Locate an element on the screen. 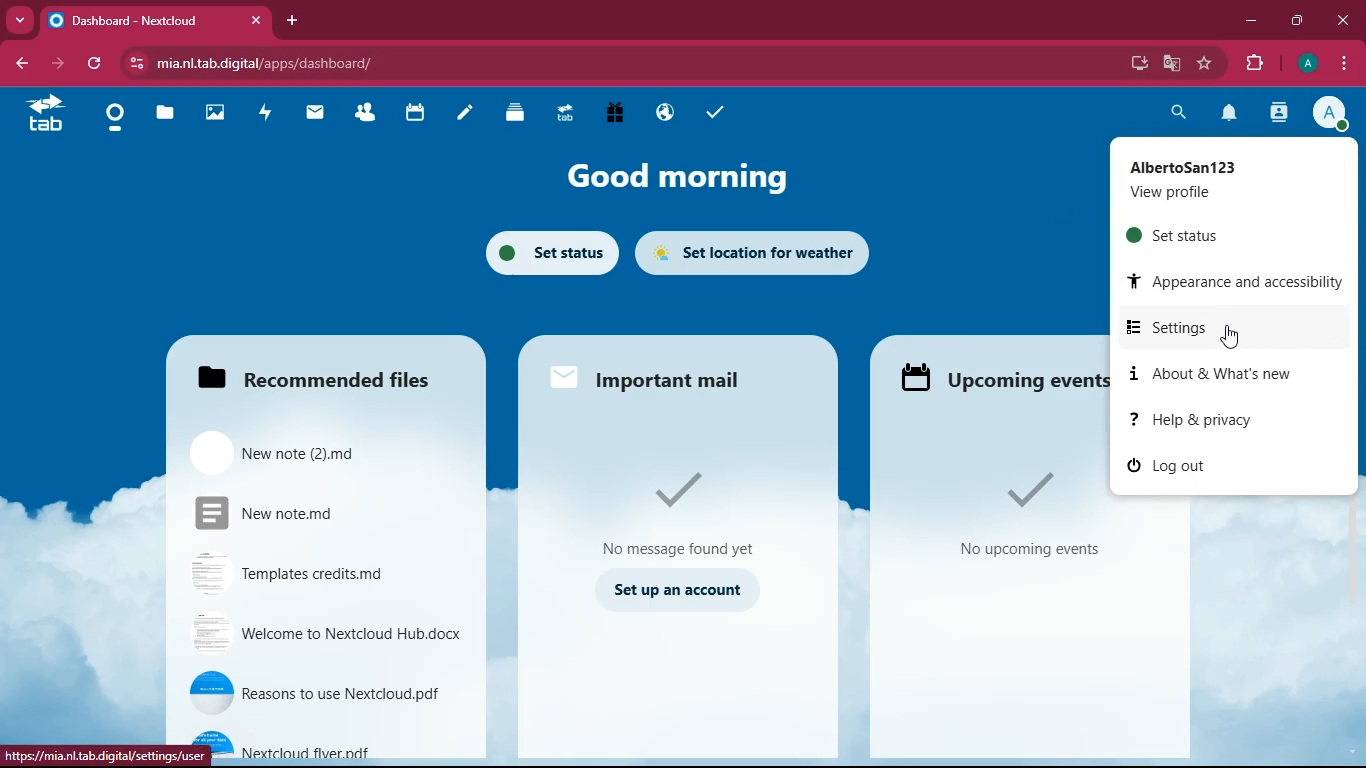 The width and height of the screenshot is (1366, 768). Tick is located at coordinates (1025, 492).